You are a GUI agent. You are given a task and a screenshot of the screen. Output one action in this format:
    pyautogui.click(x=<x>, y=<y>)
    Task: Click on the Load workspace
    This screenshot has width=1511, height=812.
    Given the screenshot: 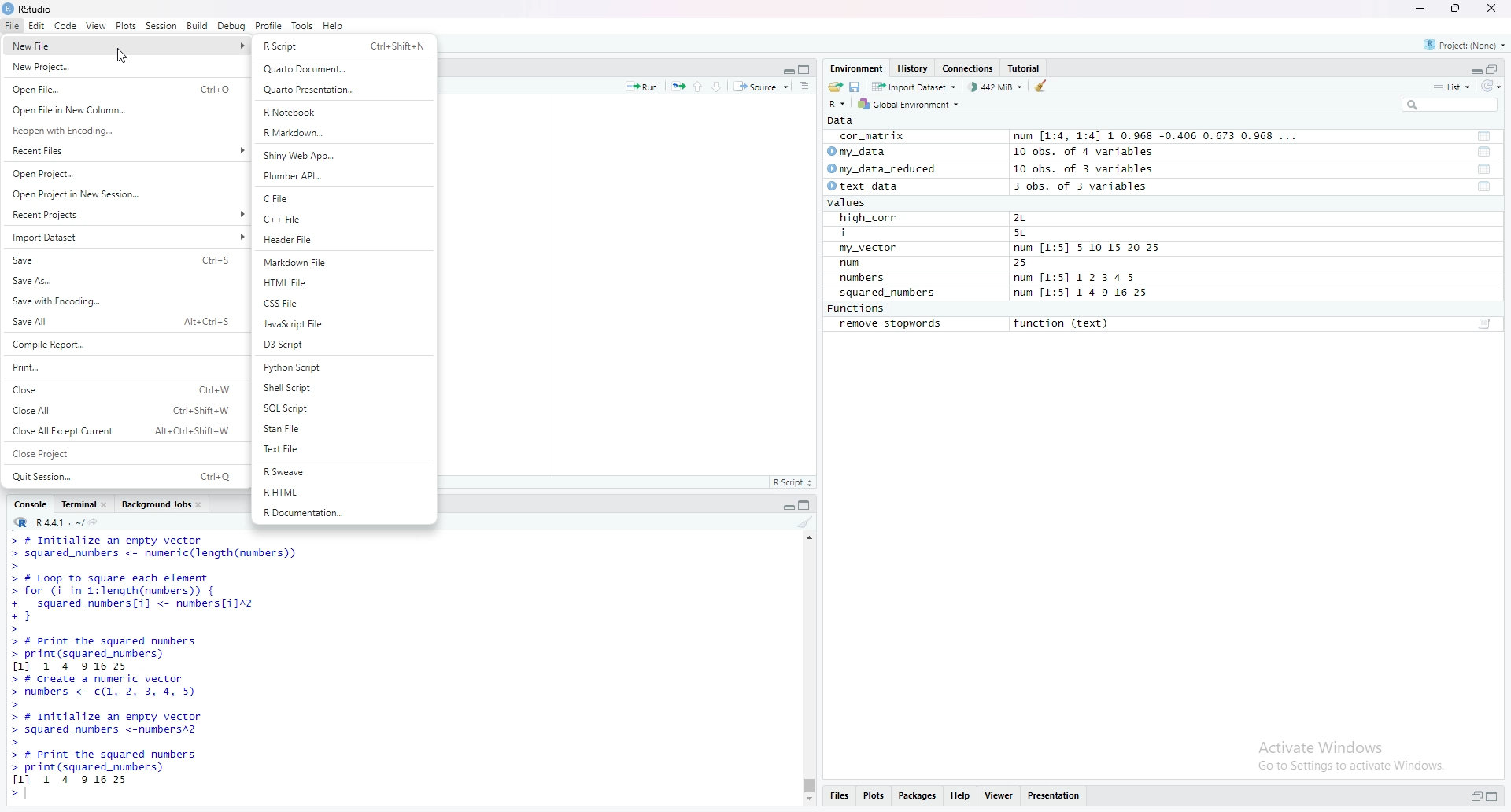 What is the action you would take?
    pyautogui.click(x=833, y=87)
    